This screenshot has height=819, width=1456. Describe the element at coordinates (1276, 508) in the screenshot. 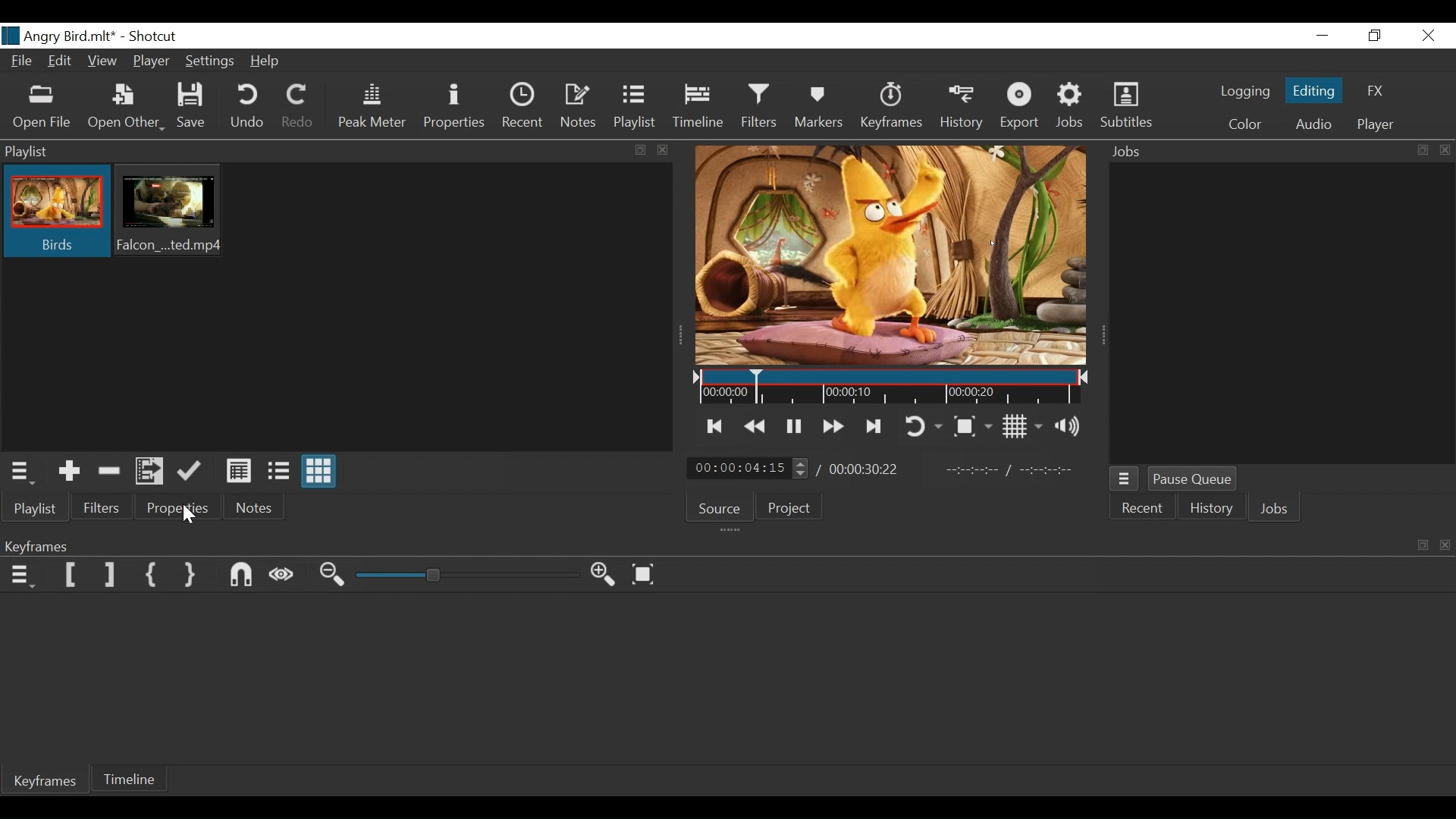

I see `Jobs` at that location.